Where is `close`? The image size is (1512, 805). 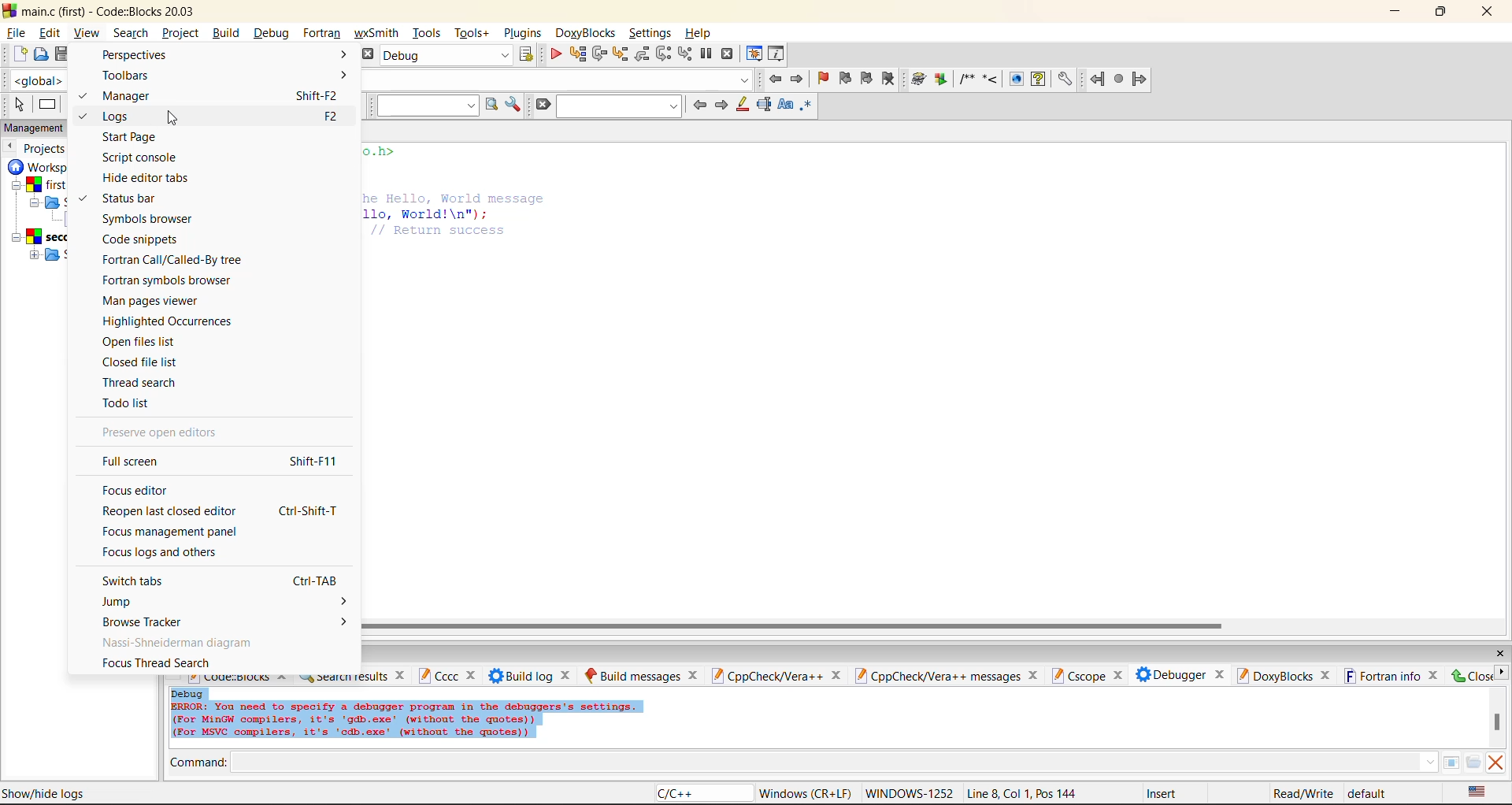
close is located at coordinates (1490, 14).